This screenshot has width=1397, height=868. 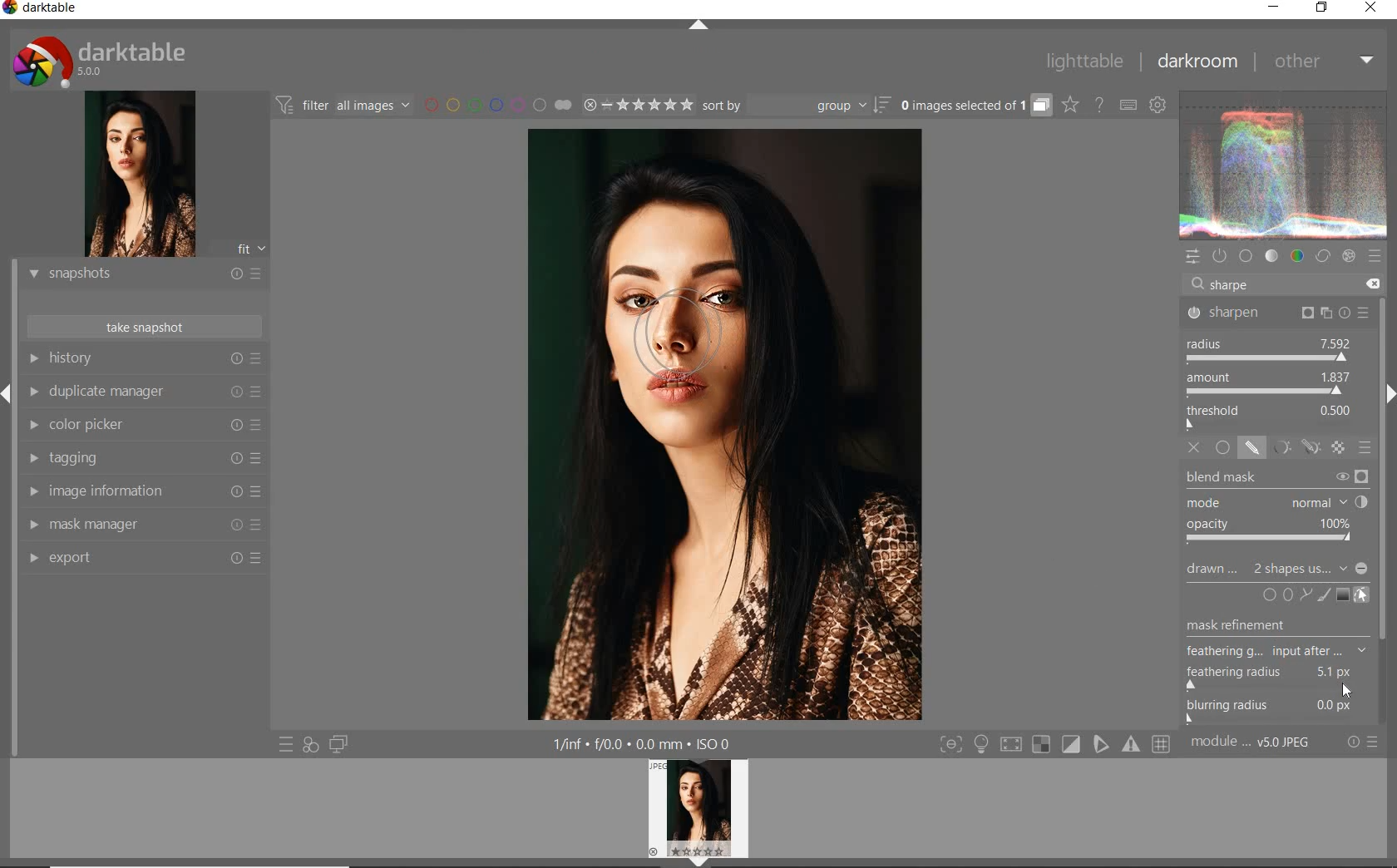 I want to click on CIRCLE OR ELLIPSE, so click(x=1275, y=596).